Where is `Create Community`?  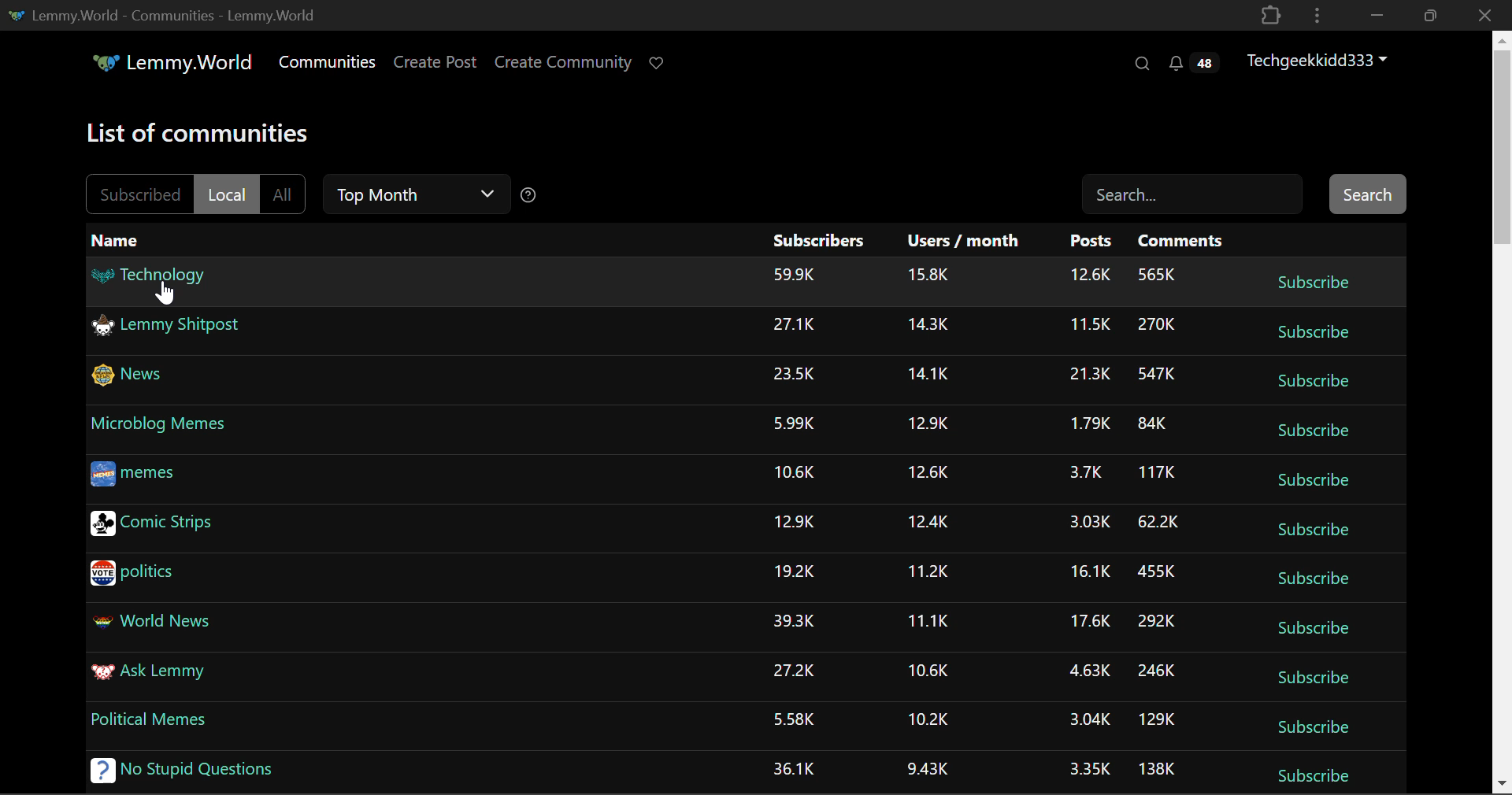
Create Community is located at coordinates (563, 65).